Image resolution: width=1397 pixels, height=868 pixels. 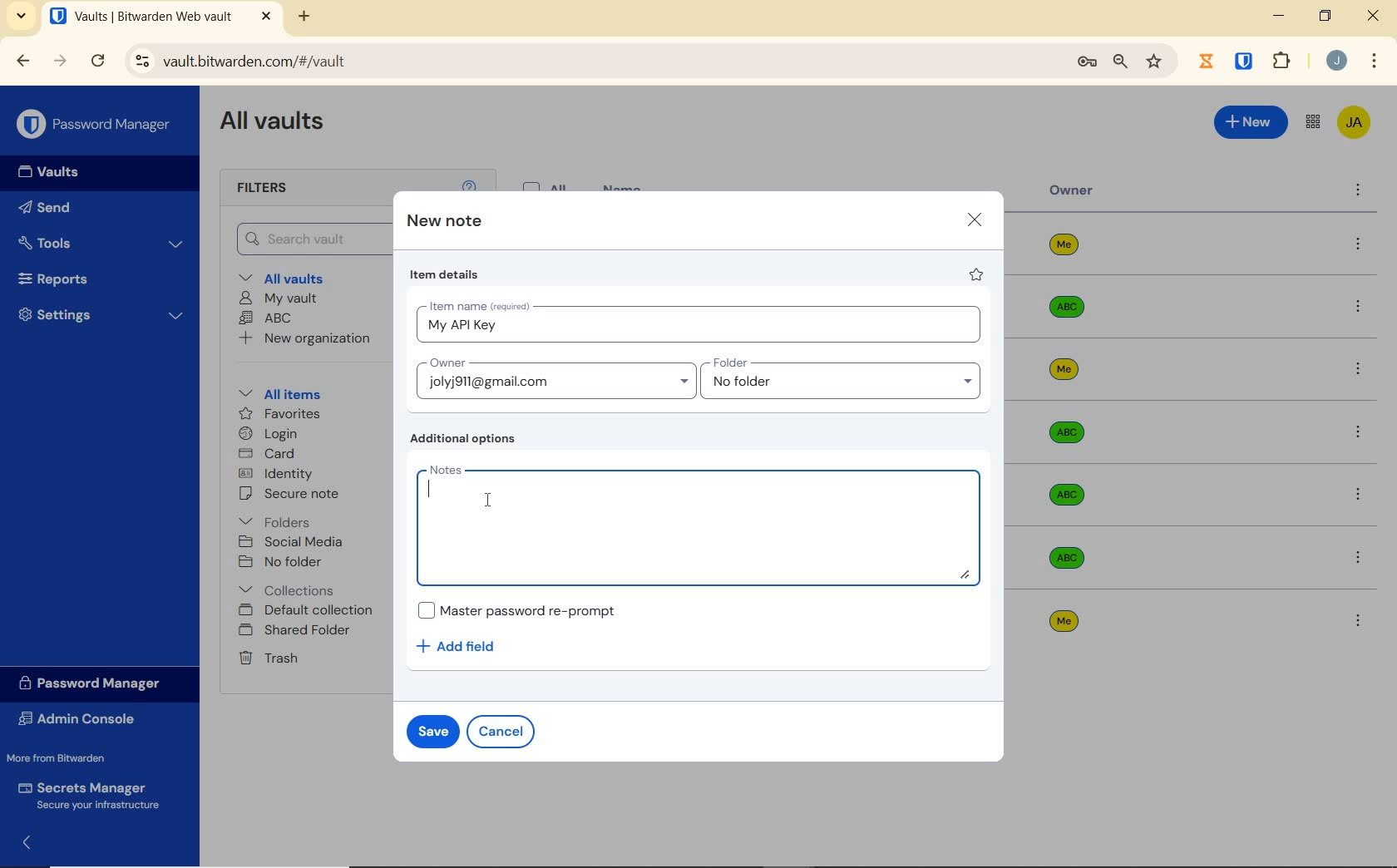 What do you see at coordinates (279, 474) in the screenshot?
I see `identity` at bounding box center [279, 474].